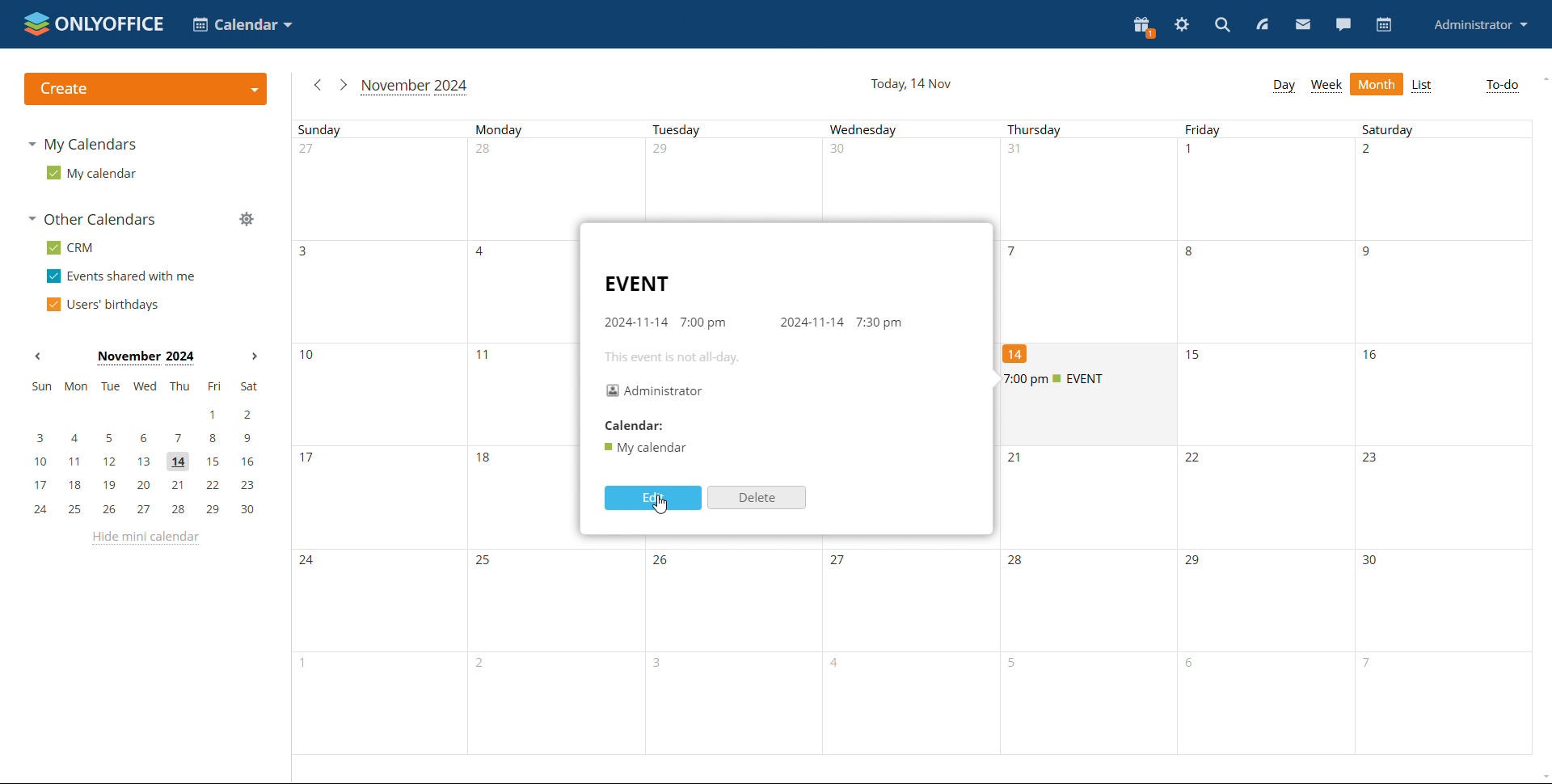  Describe the element at coordinates (1502, 86) in the screenshot. I see `to-do` at that location.